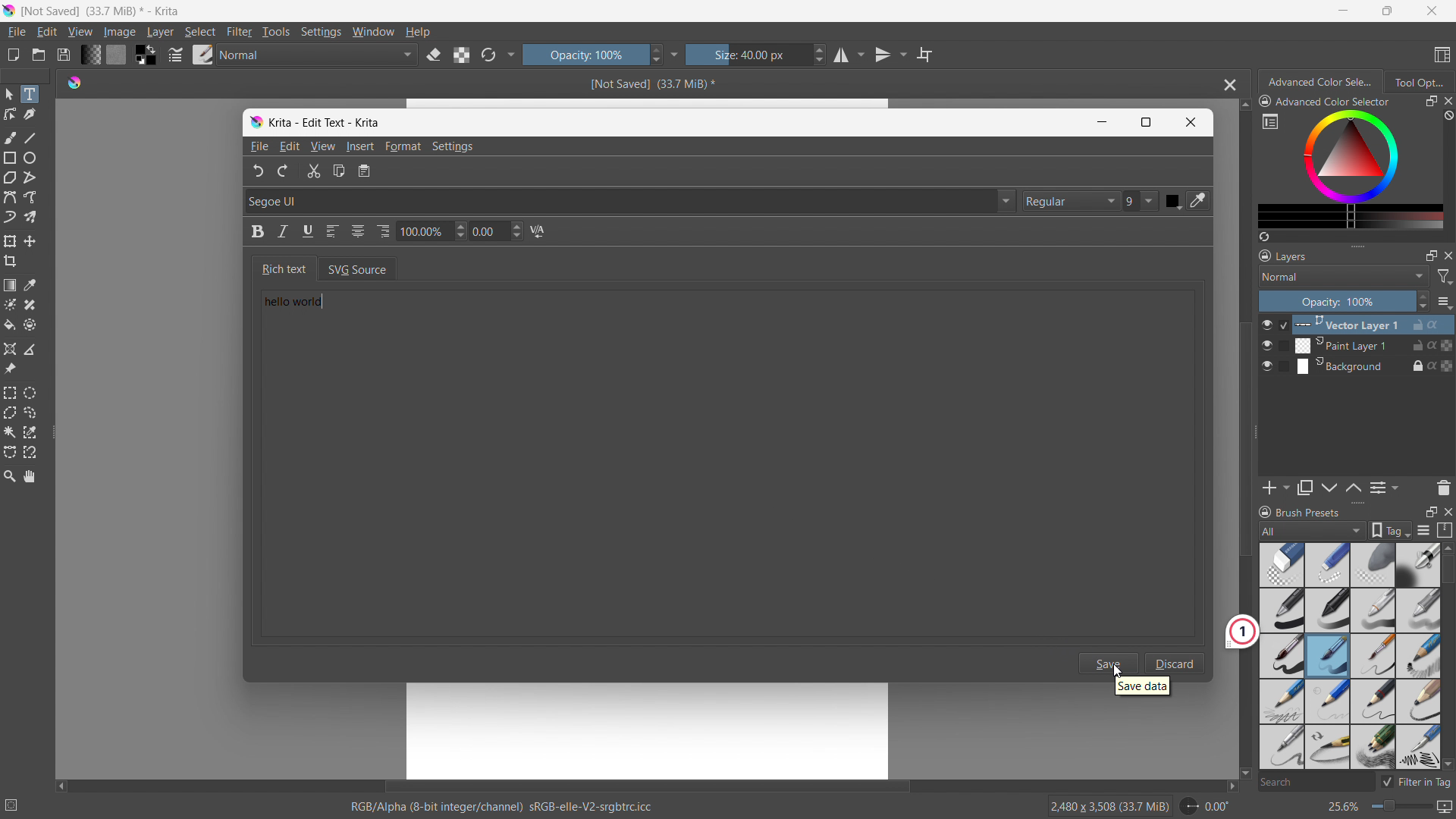  What do you see at coordinates (1099, 122) in the screenshot?
I see `Minimize` at bounding box center [1099, 122].